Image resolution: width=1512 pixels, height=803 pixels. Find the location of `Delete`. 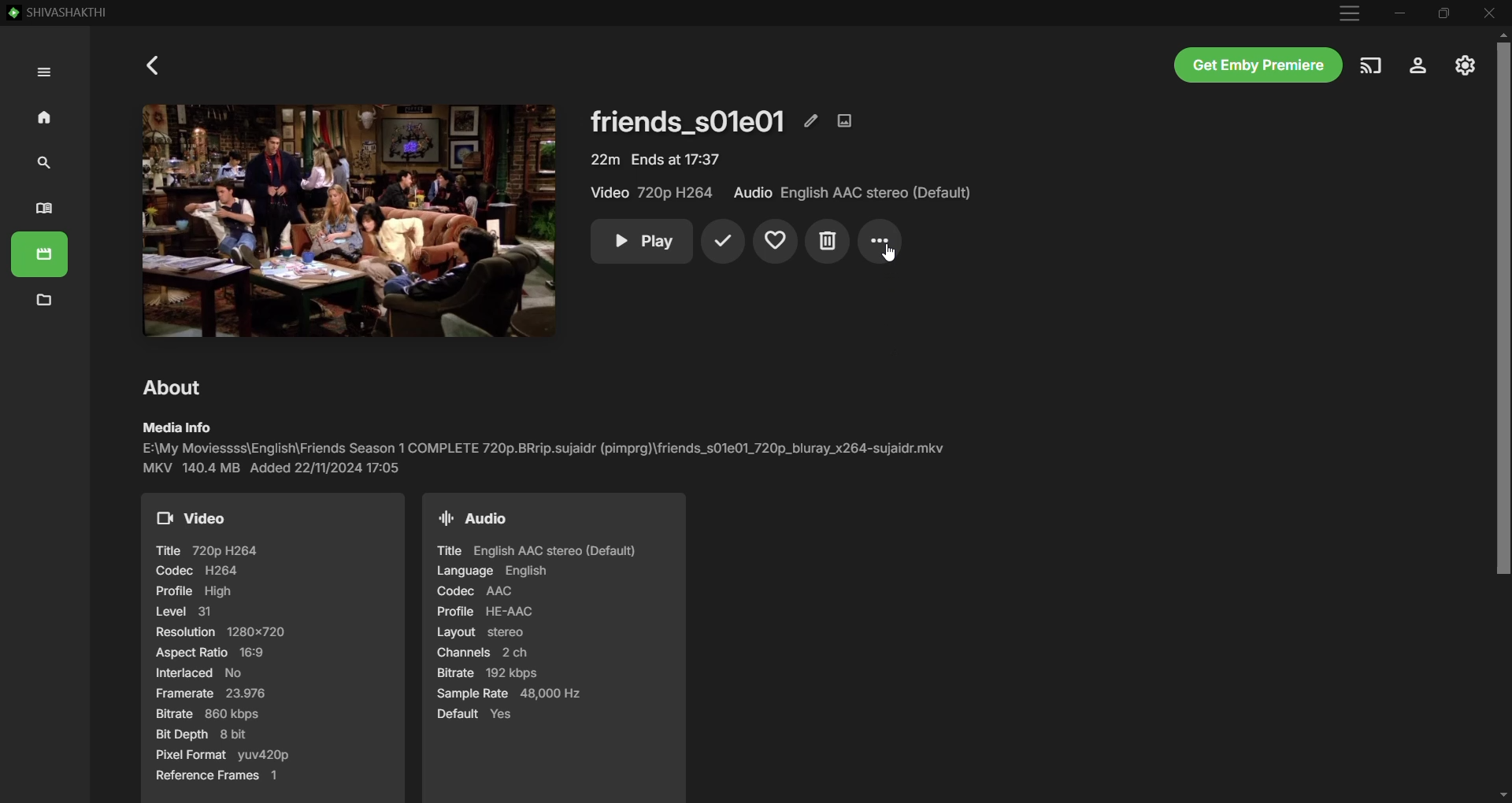

Delete is located at coordinates (827, 242).